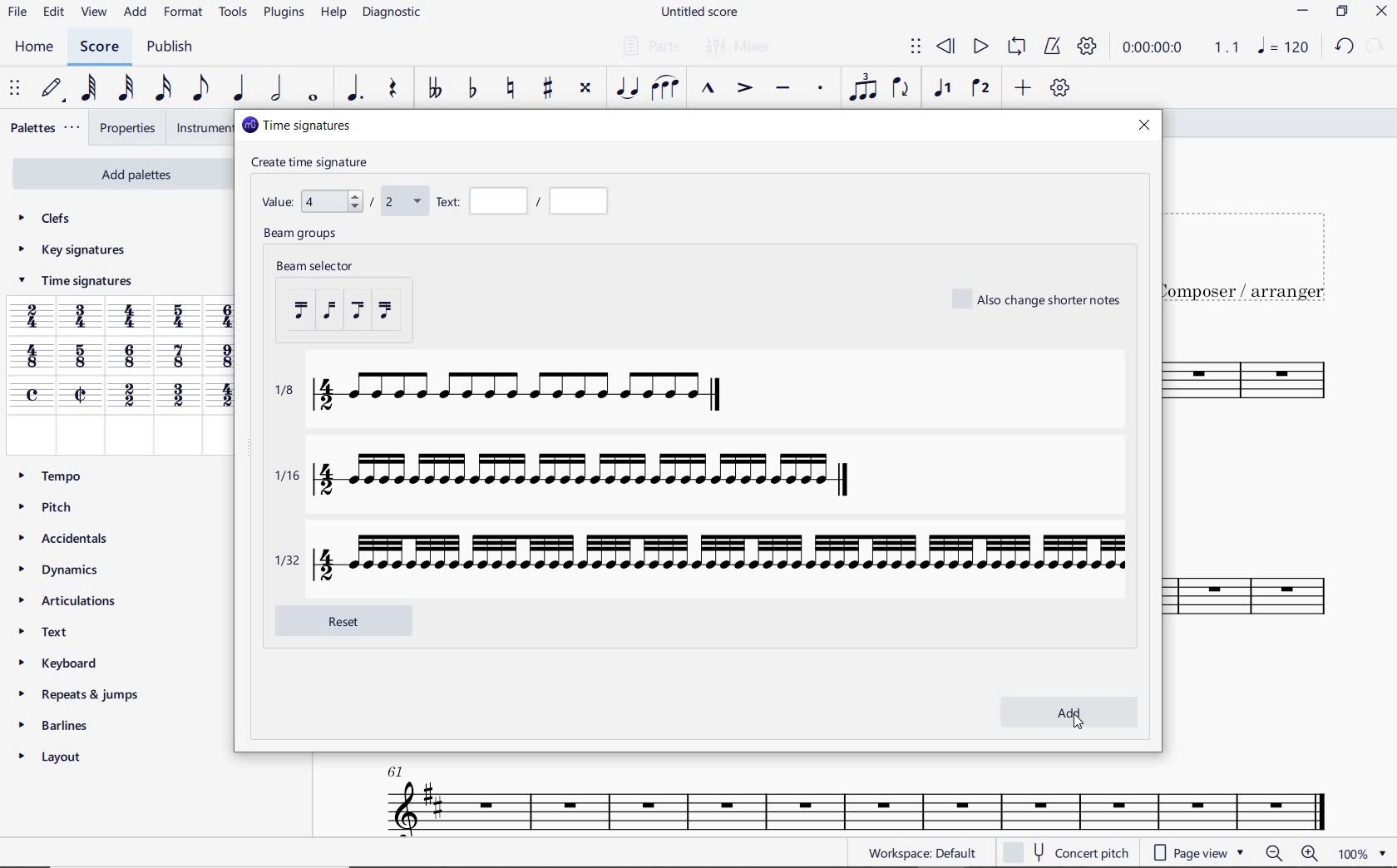  What do you see at coordinates (901, 89) in the screenshot?
I see `FLIP DIRECTION` at bounding box center [901, 89].